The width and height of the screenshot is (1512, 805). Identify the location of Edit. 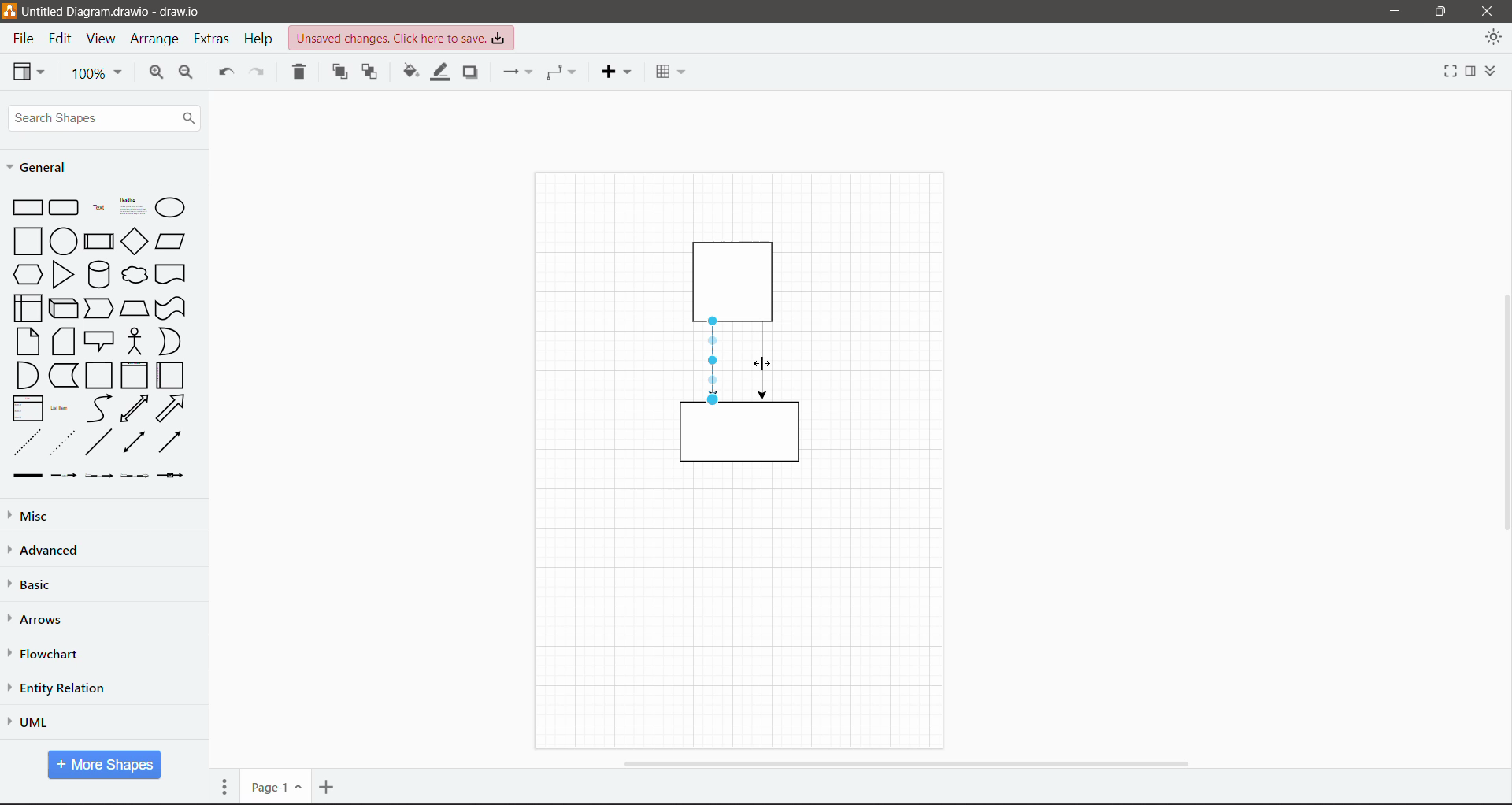
(62, 39).